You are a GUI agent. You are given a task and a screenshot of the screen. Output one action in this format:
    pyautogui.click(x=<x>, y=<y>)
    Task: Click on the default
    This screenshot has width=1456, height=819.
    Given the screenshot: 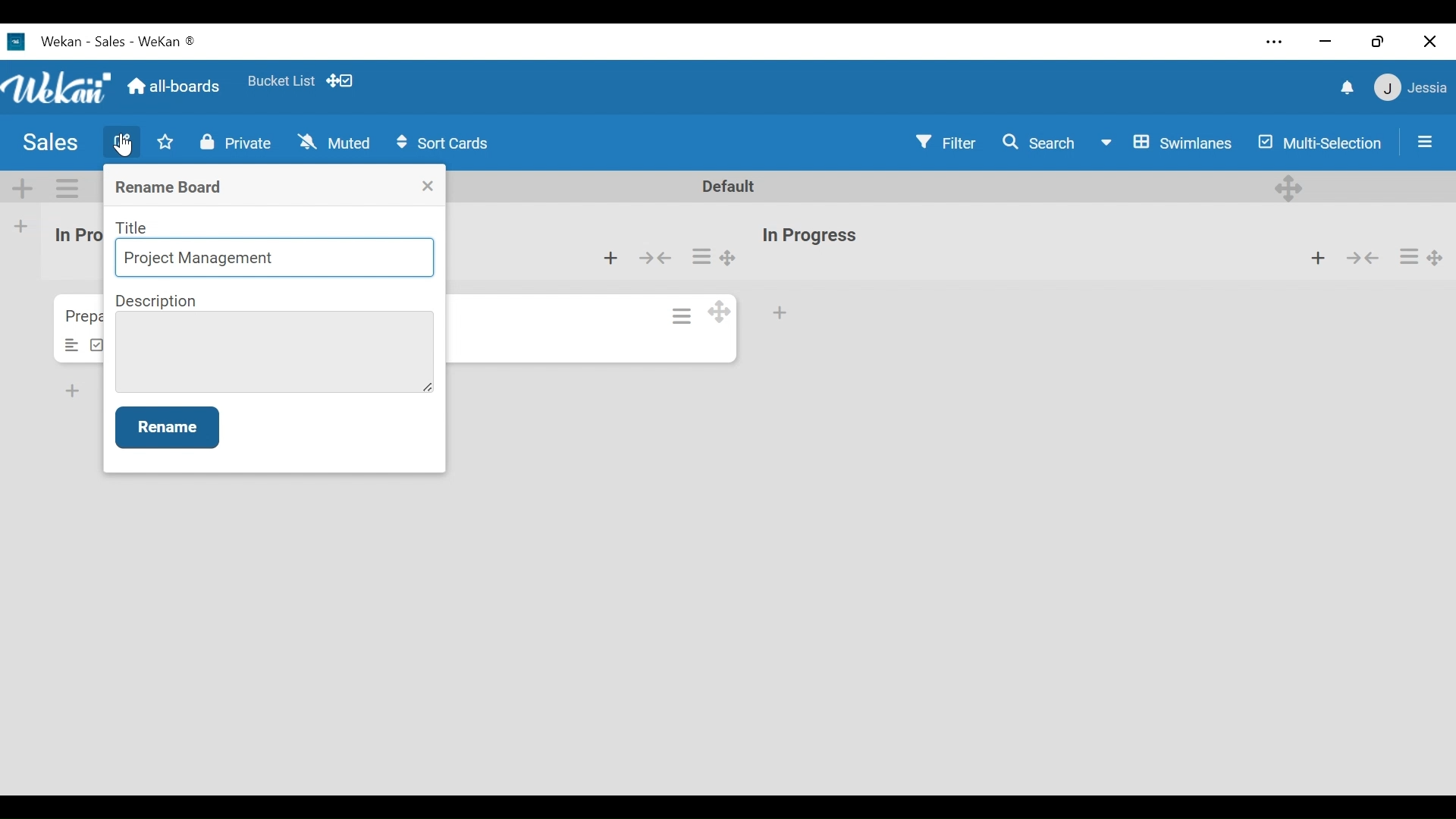 What is the action you would take?
    pyautogui.click(x=734, y=187)
    